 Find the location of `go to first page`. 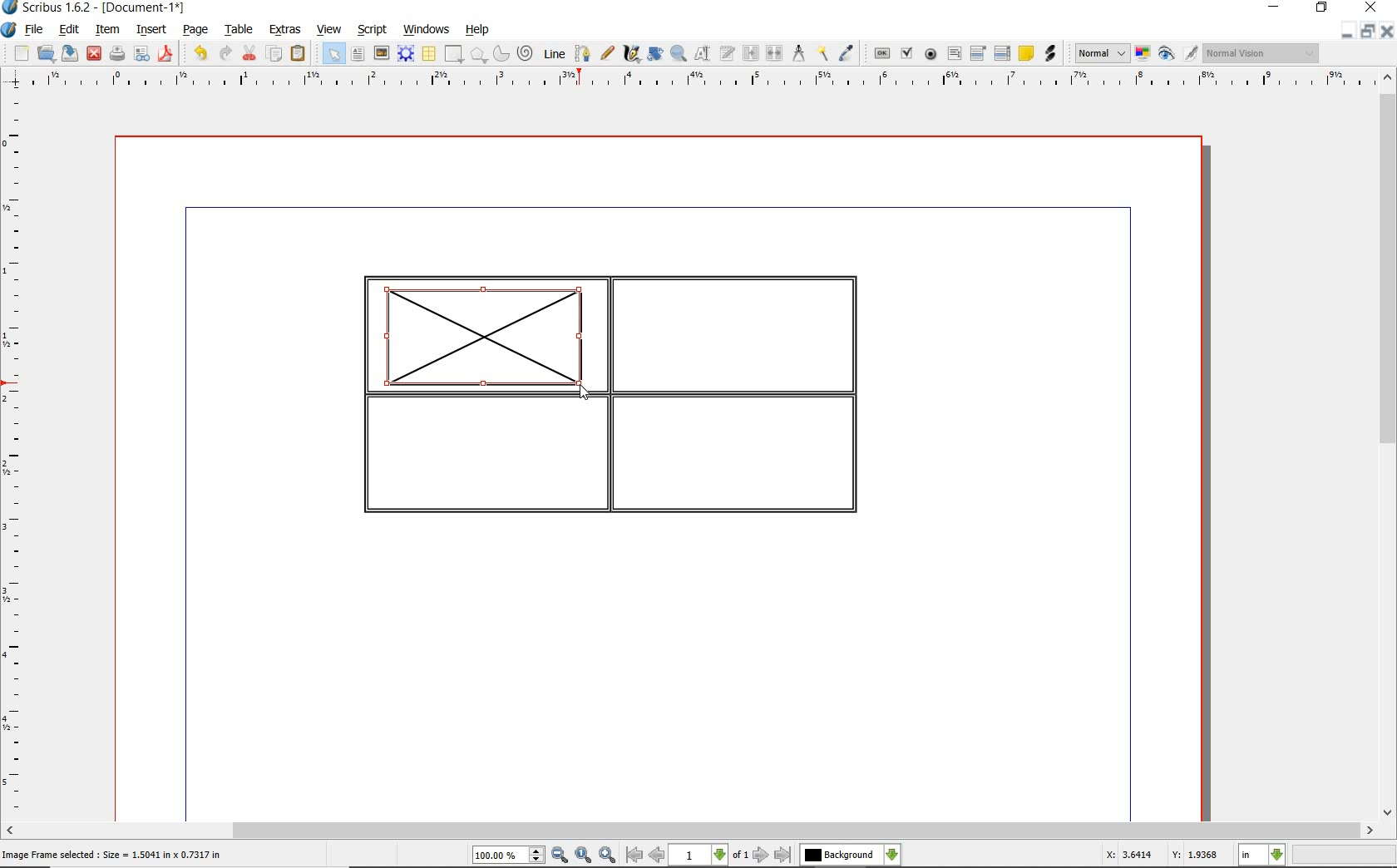

go to first page is located at coordinates (634, 856).